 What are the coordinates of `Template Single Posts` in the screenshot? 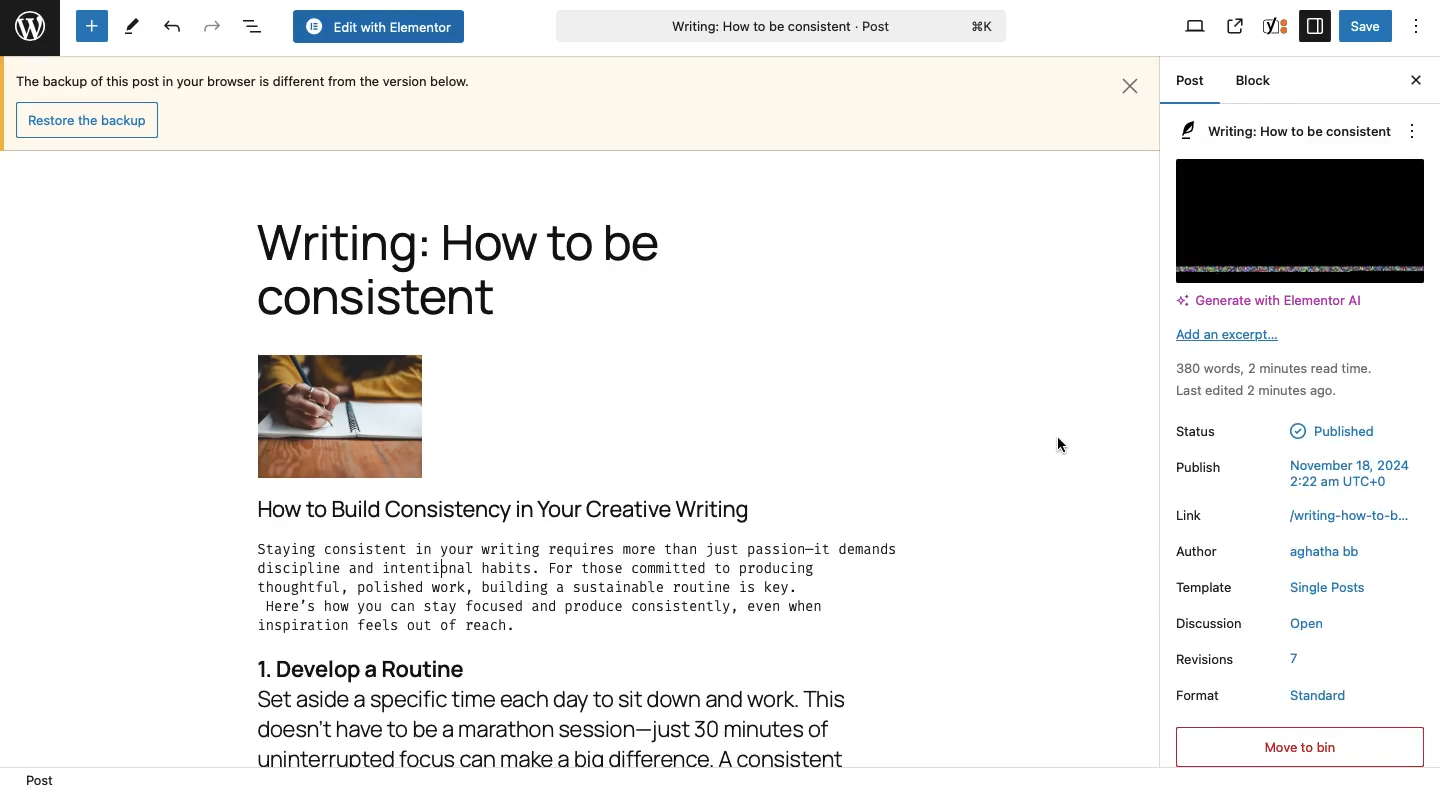 It's located at (1291, 586).